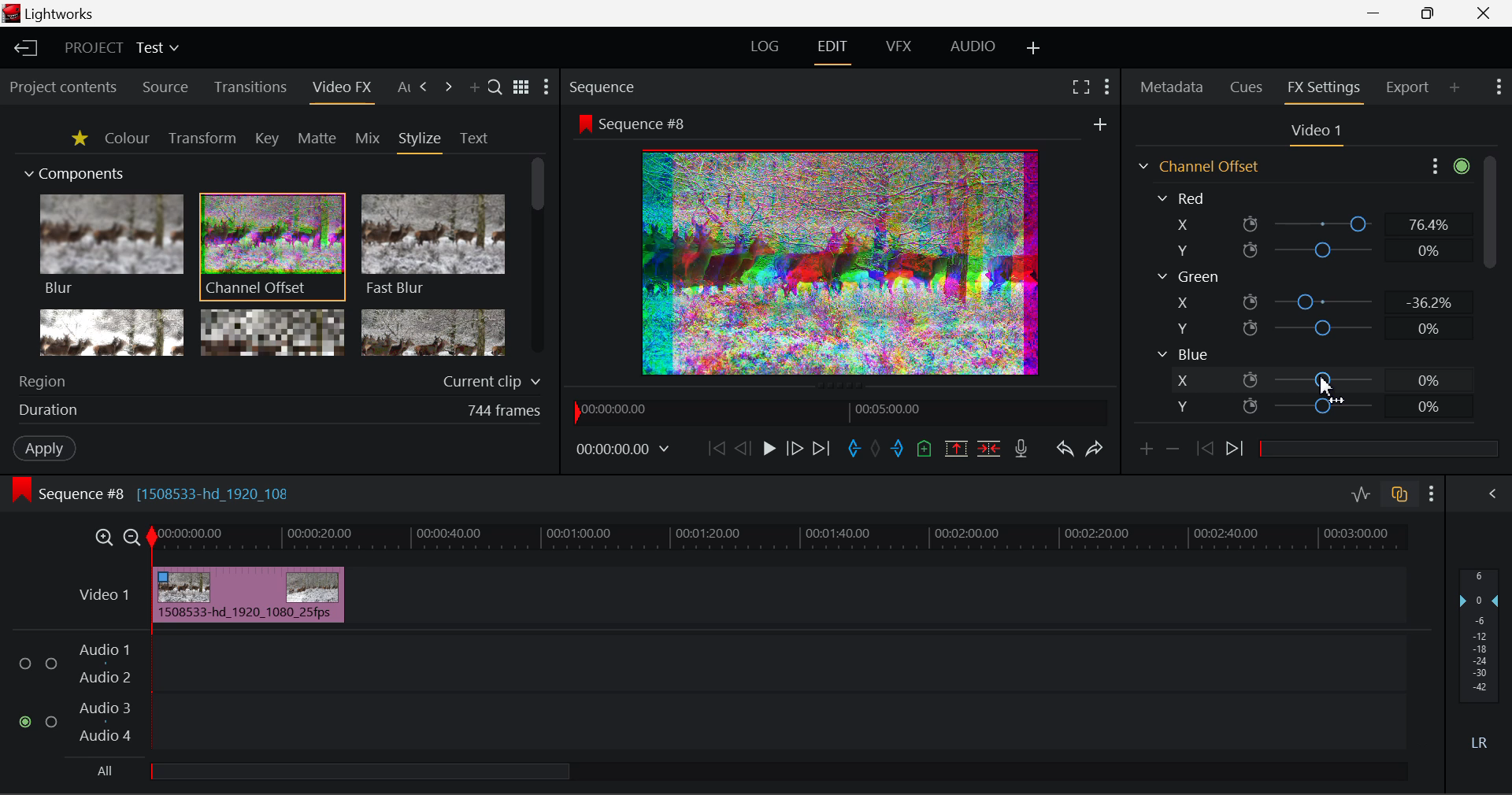 This screenshot has height=795, width=1512. What do you see at coordinates (1082, 89) in the screenshot?
I see `Full Screen` at bounding box center [1082, 89].